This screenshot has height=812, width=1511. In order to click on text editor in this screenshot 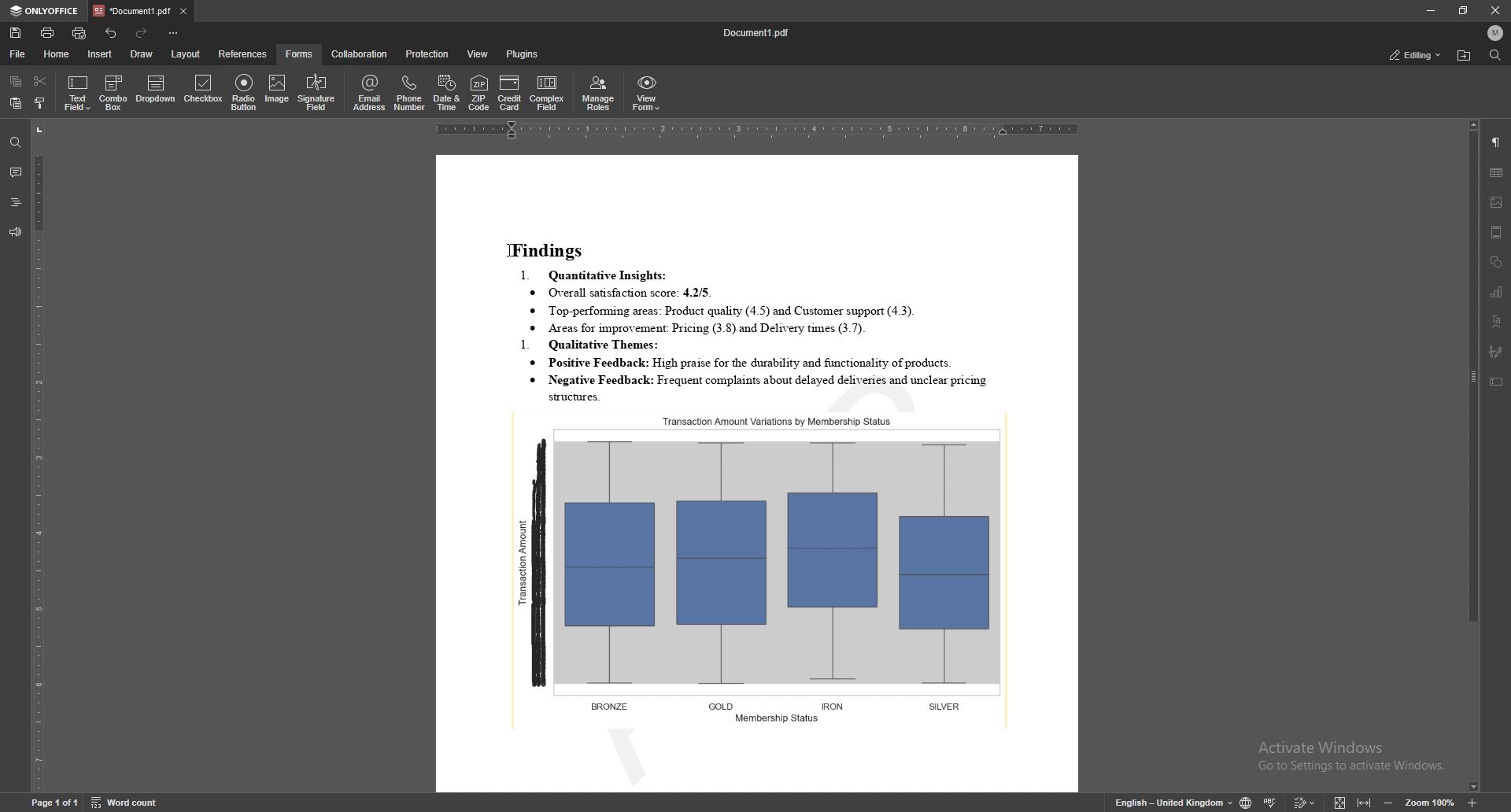, I will do `click(508, 249)`.